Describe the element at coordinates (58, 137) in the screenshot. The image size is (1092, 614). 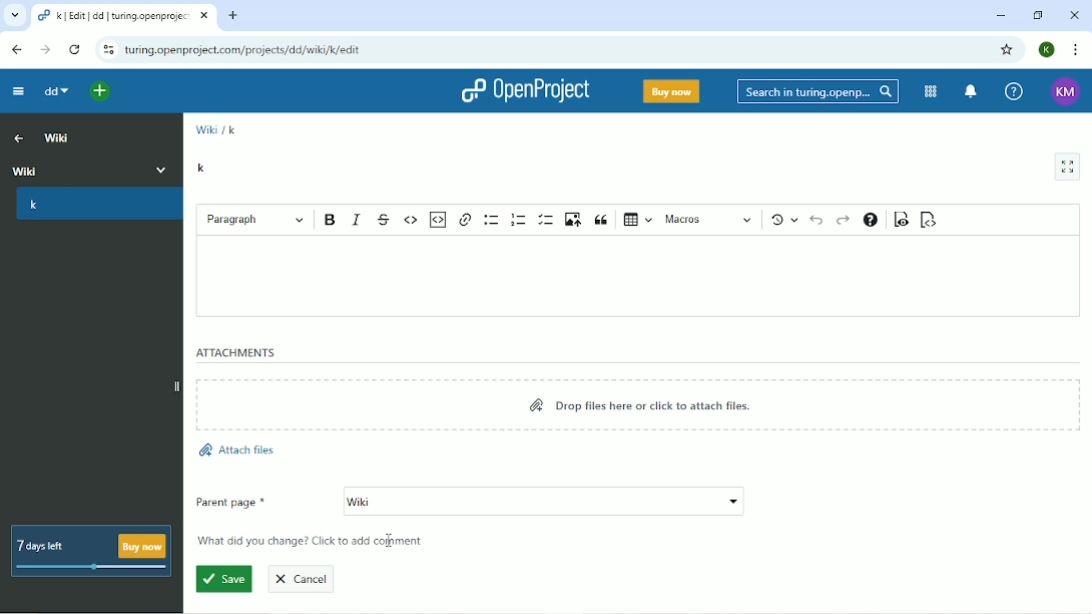
I see `Wiki` at that location.